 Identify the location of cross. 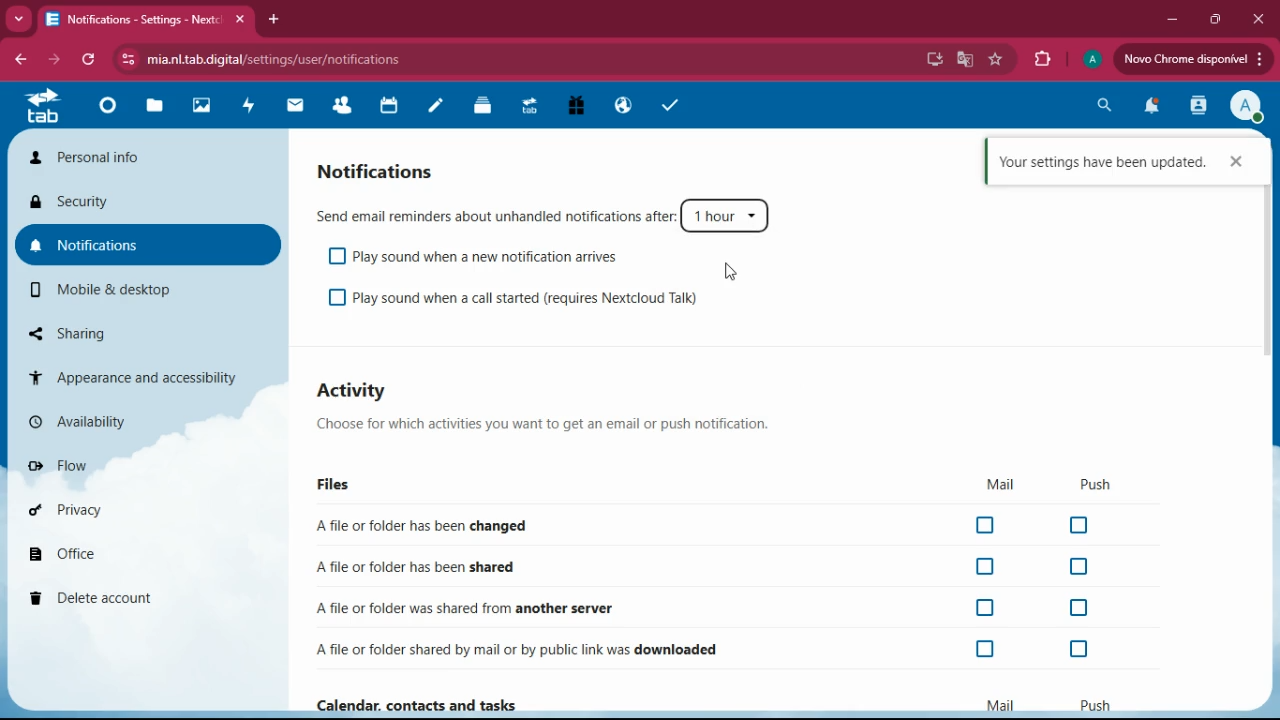
(1238, 161).